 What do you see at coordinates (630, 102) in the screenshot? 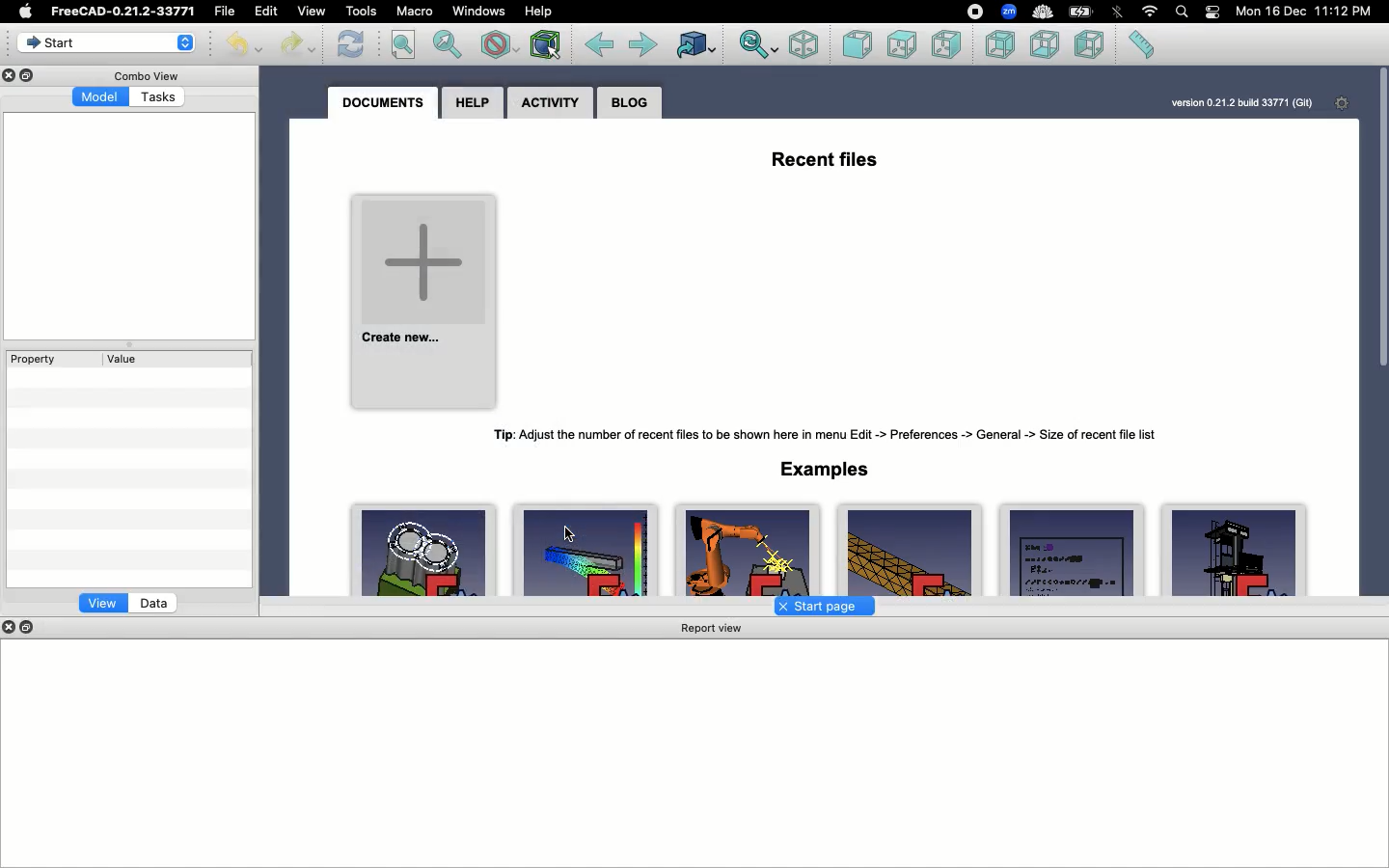
I see `Blog` at bounding box center [630, 102].